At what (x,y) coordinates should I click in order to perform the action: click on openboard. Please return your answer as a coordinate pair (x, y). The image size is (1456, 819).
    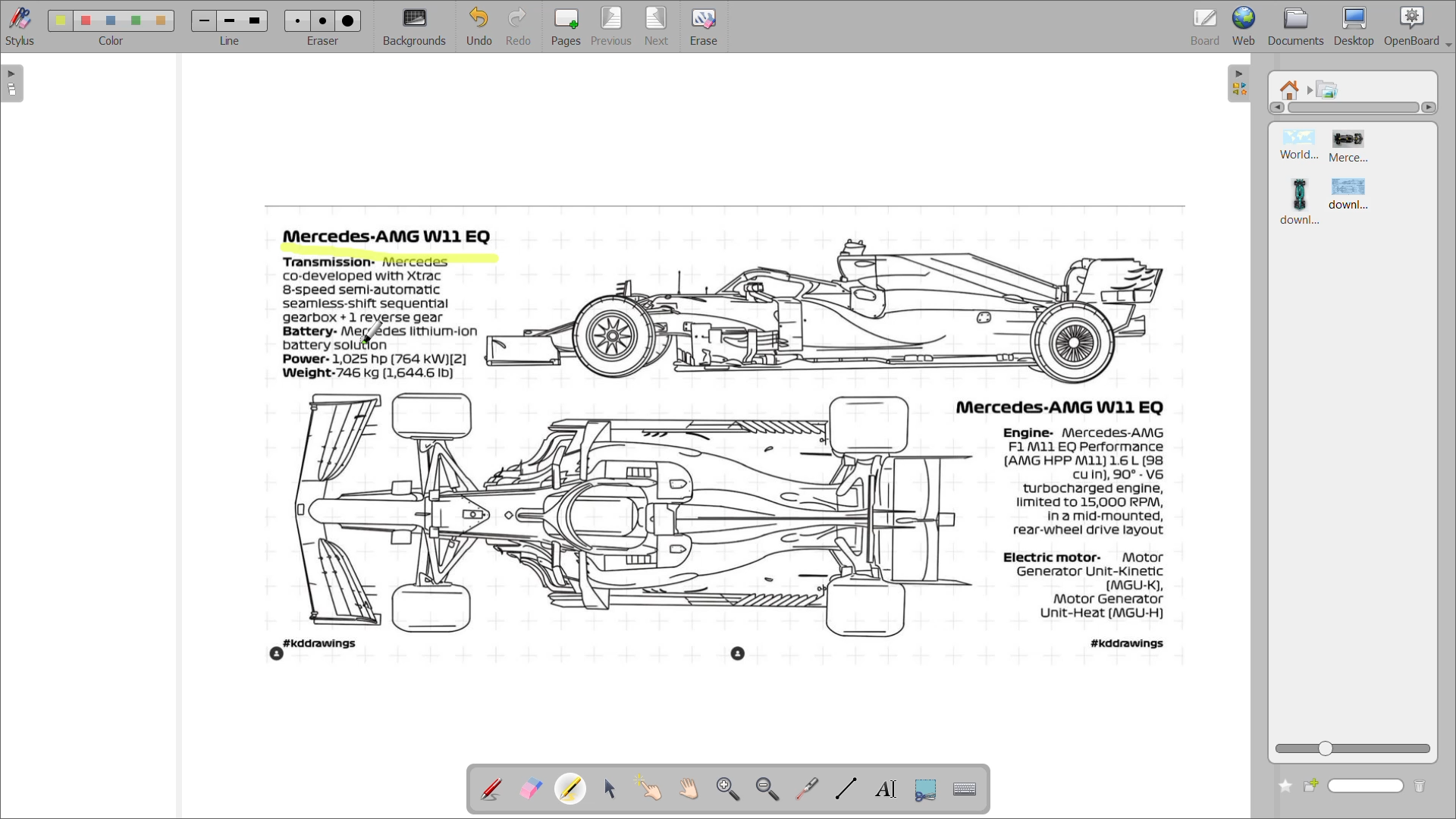
    Looking at the image, I should click on (1419, 27).